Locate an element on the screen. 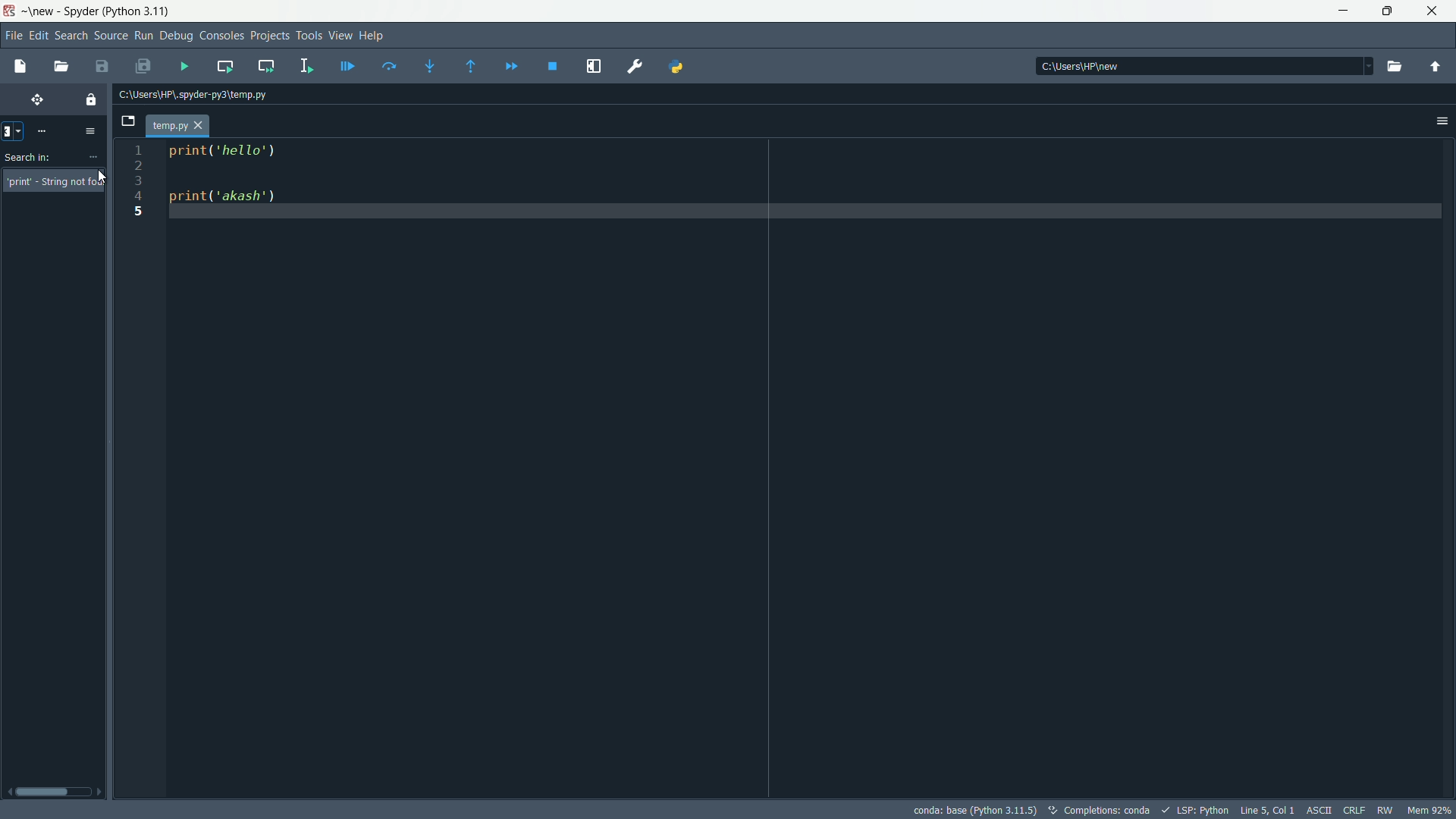 This screenshot has width=1456, height=819. step into function is located at coordinates (429, 66).